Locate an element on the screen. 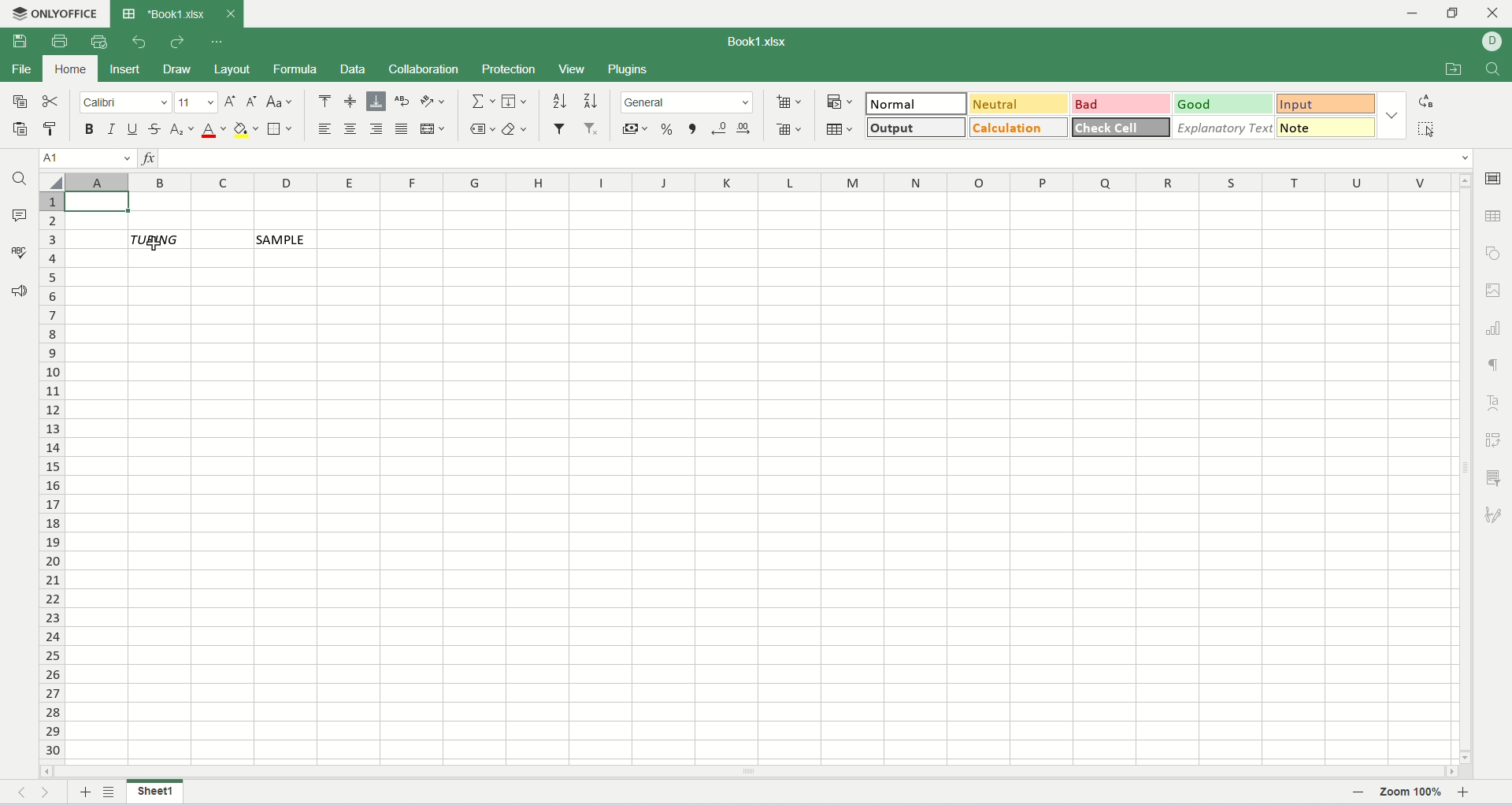 The height and width of the screenshot is (805, 1512). chart settings is located at coordinates (1495, 328).